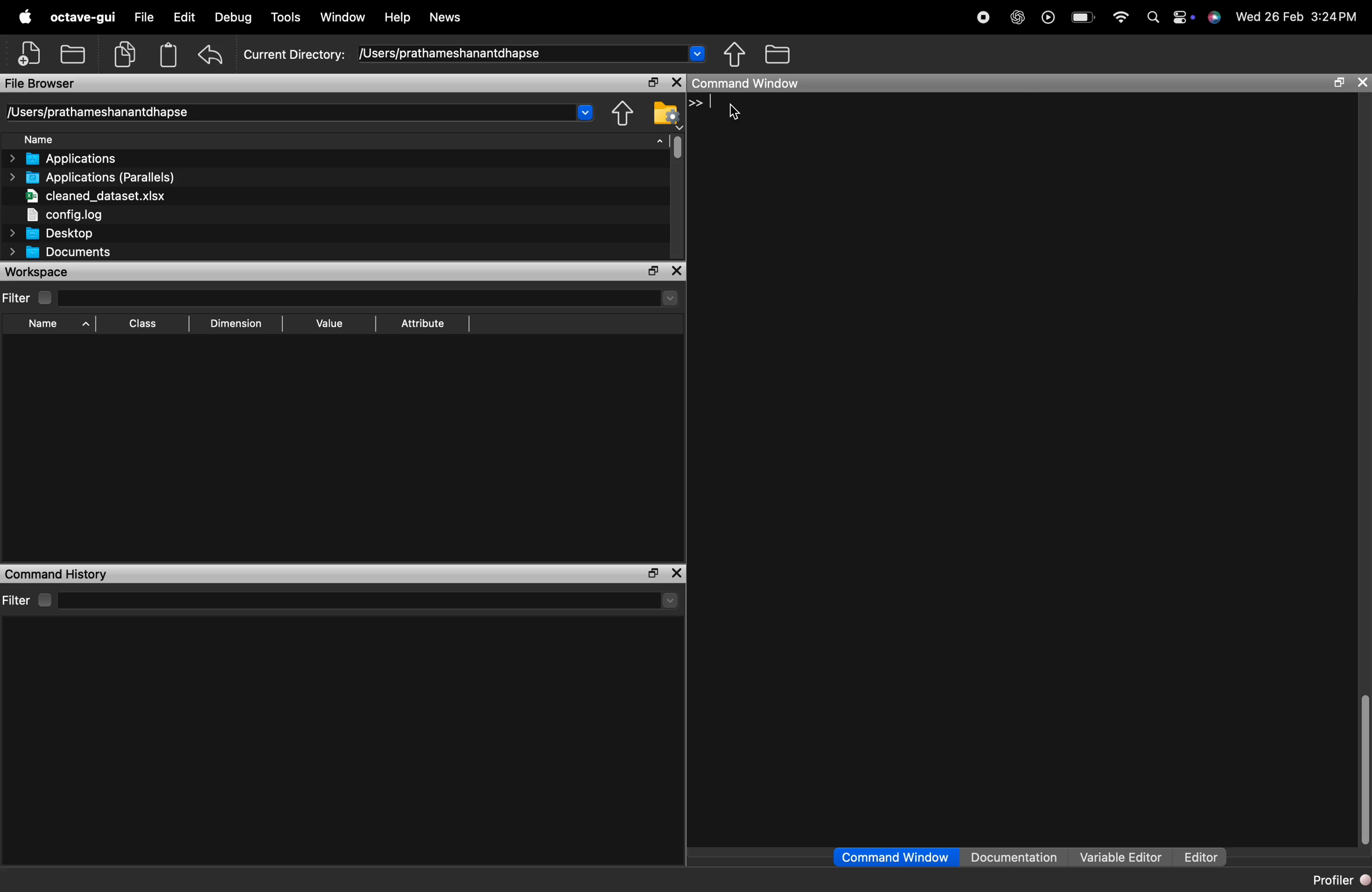 Image resolution: width=1372 pixels, height=892 pixels. Describe the element at coordinates (95, 177) in the screenshot. I see `Applications (Parallels)` at that location.